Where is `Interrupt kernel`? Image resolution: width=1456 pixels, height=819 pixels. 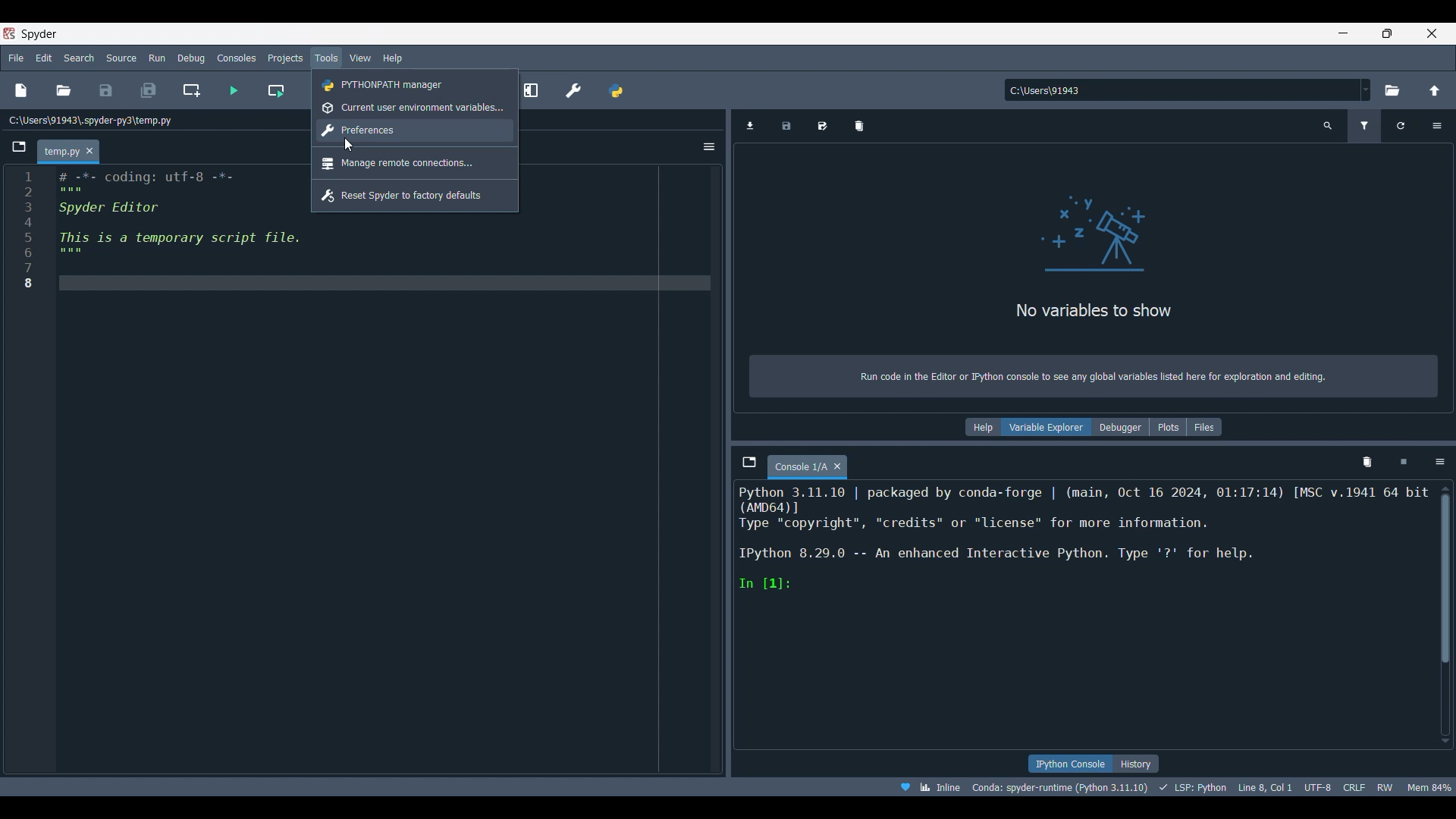
Interrupt kernel is located at coordinates (1403, 462).